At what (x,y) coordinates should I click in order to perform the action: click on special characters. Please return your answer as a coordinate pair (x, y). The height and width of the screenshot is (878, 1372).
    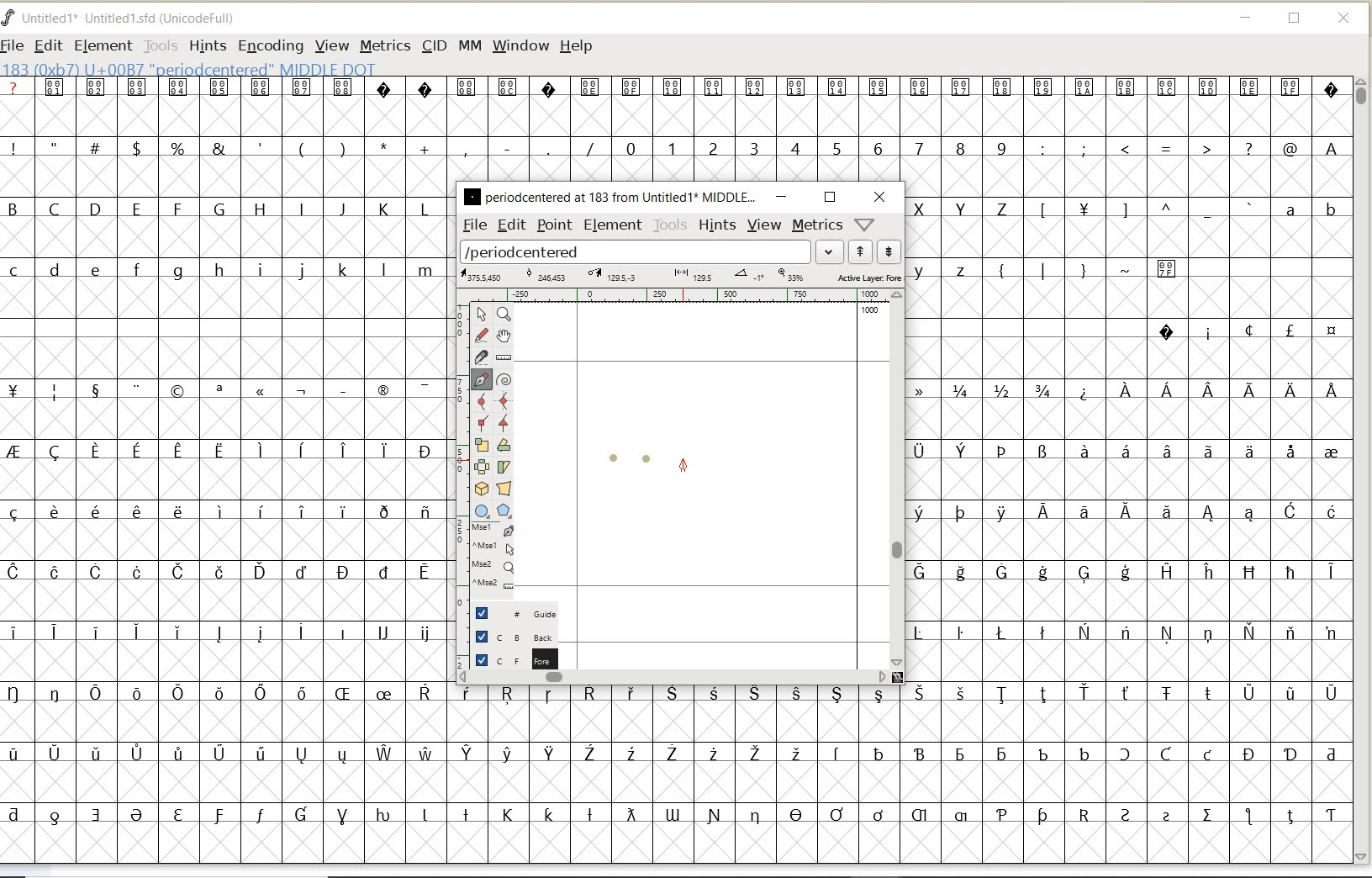
    Looking at the image, I should click on (1247, 331).